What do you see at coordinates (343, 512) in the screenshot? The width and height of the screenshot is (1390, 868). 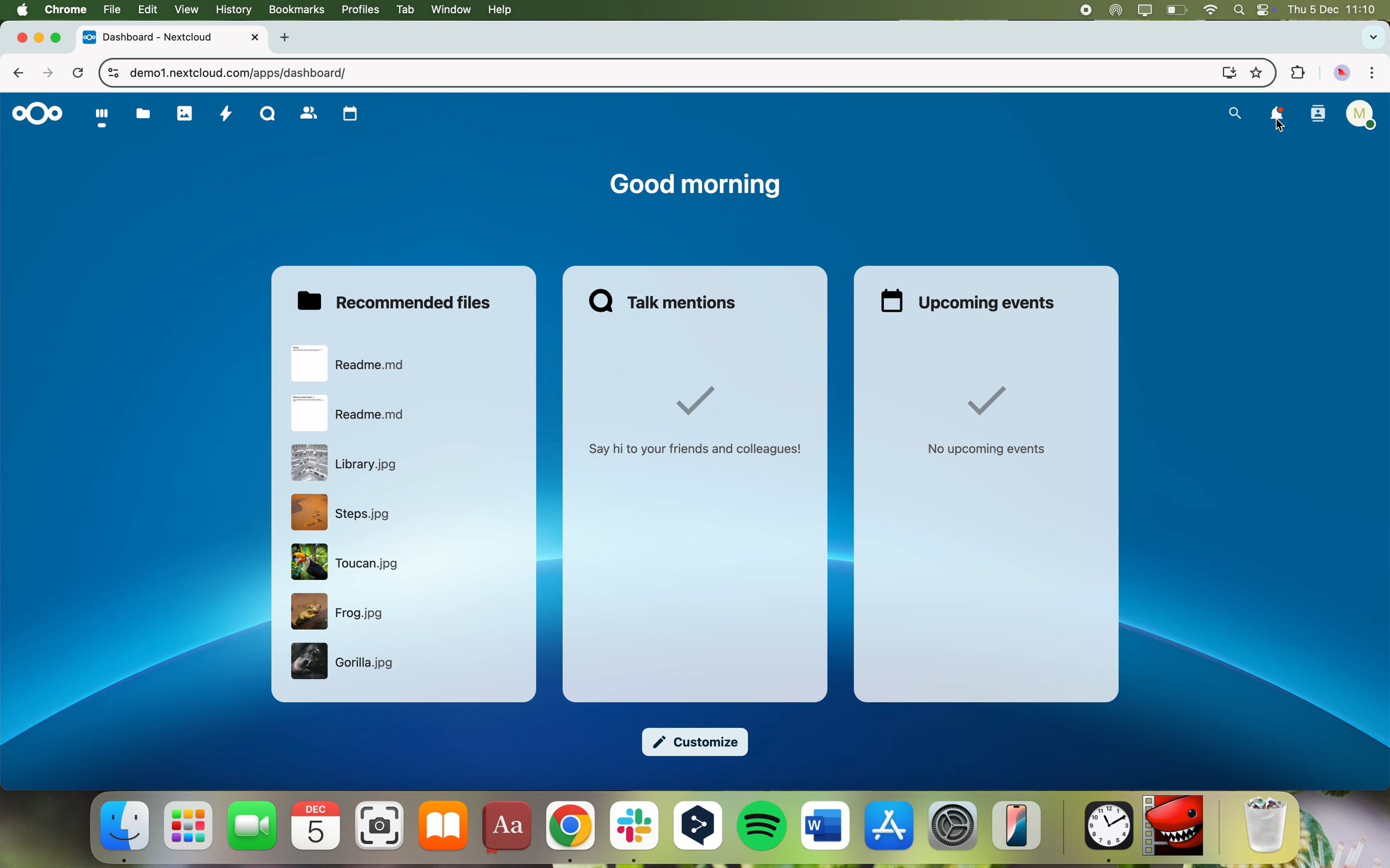 I see `file` at bounding box center [343, 512].